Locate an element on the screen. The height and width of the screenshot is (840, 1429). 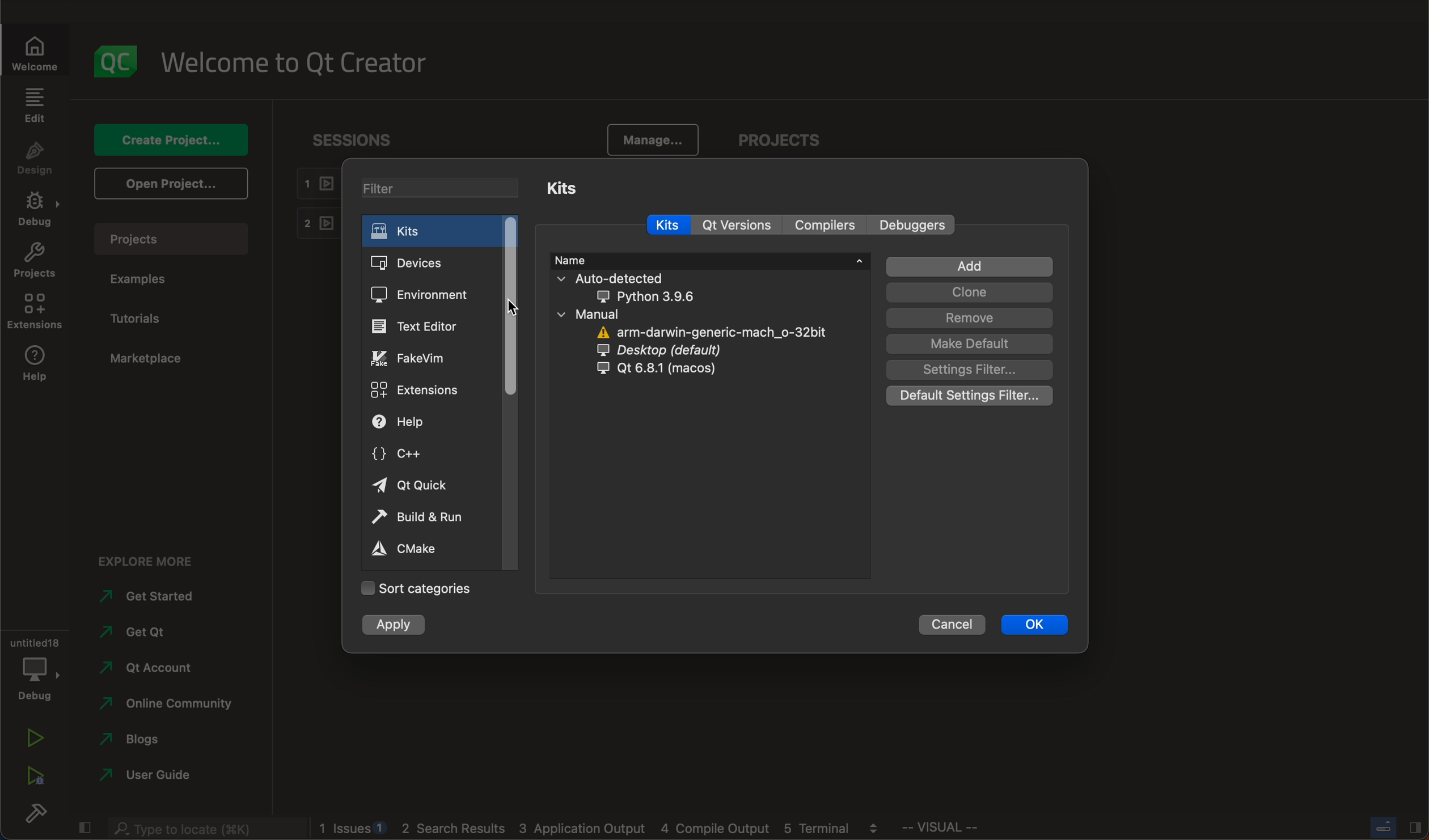
projects is located at coordinates (175, 236).